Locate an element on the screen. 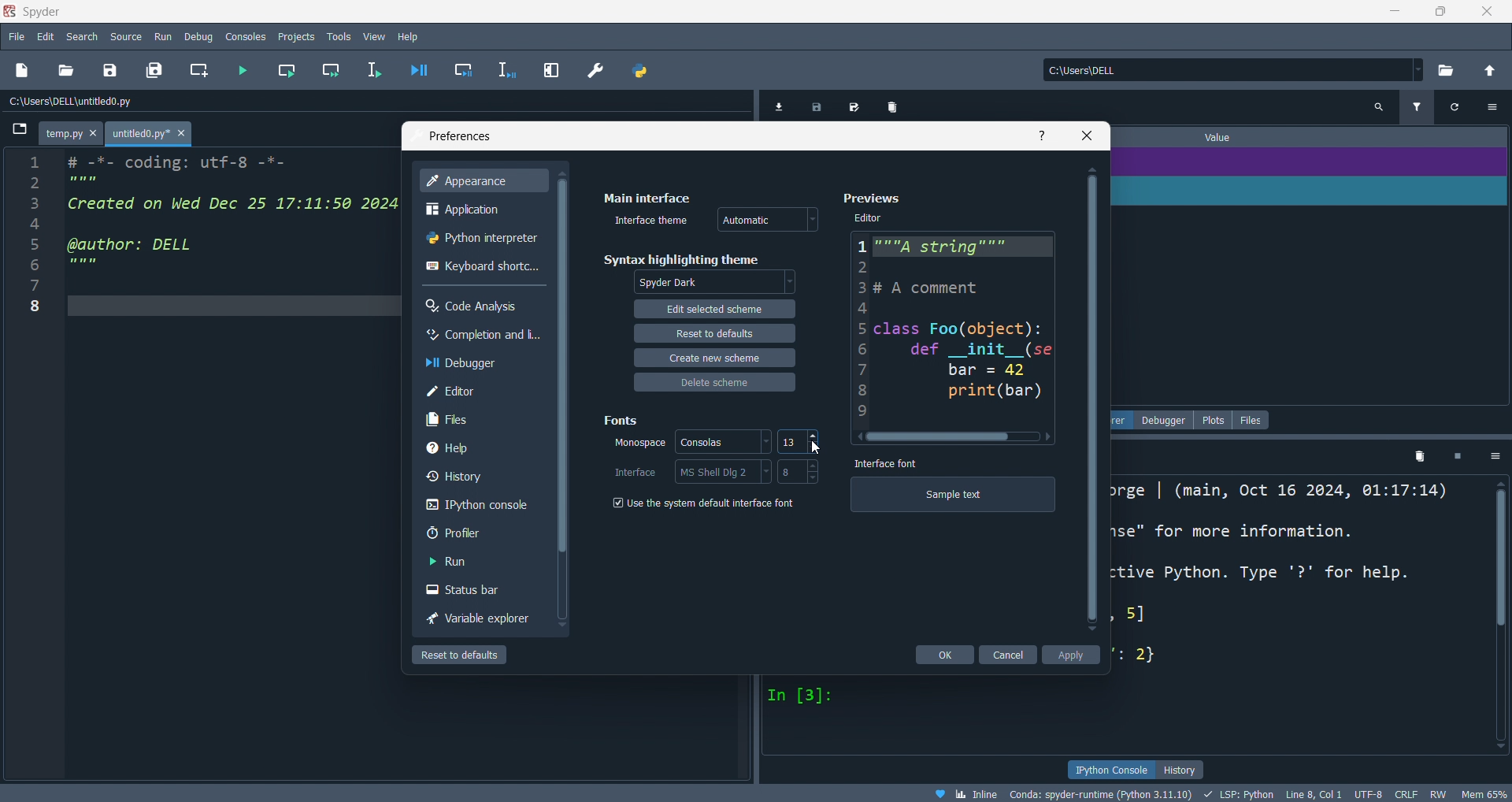 Image resolution: width=1512 pixels, height=802 pixels. run is located at coordinates (484, 559).